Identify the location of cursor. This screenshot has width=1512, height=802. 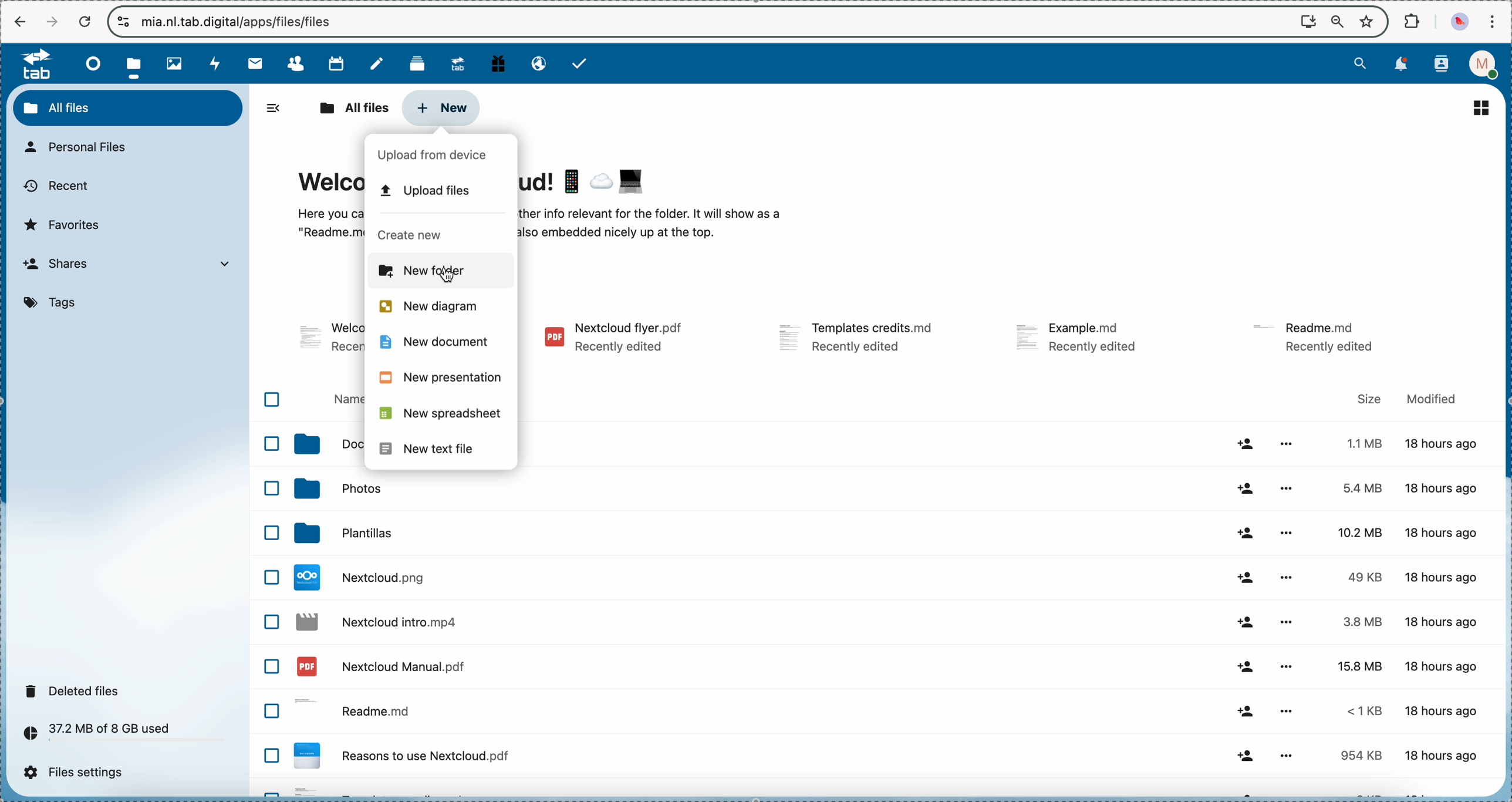
(448, 278).